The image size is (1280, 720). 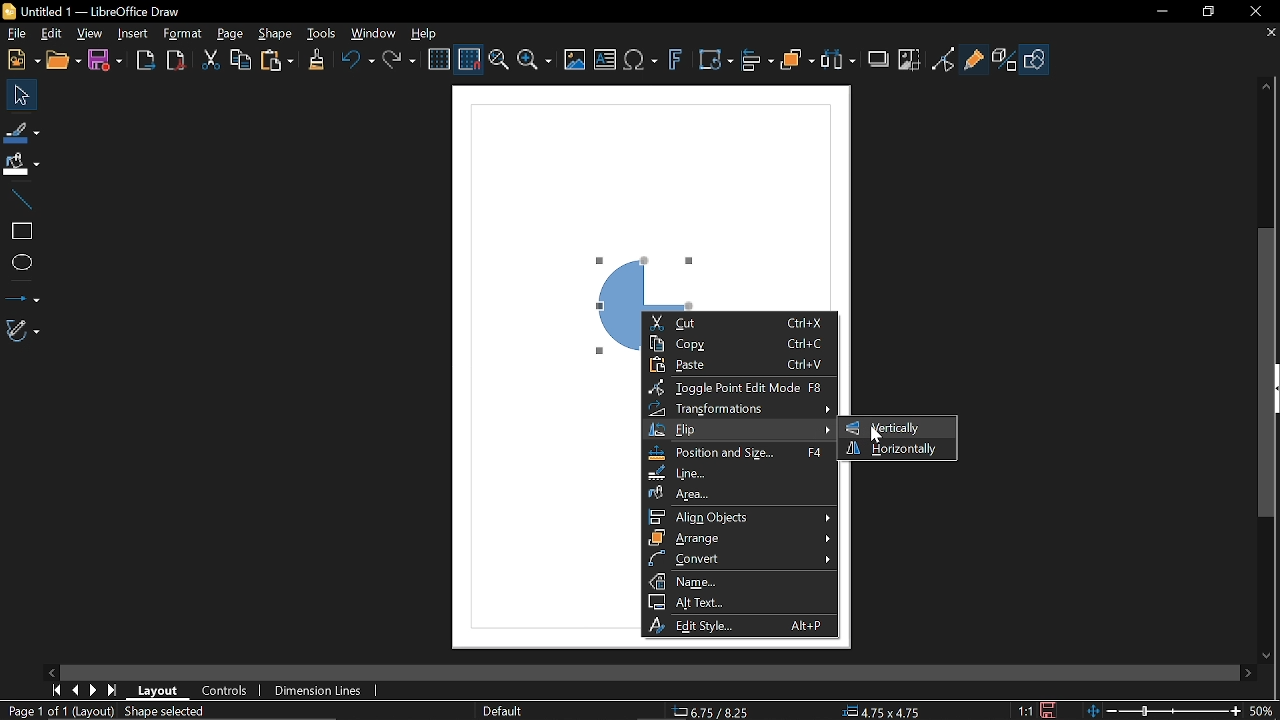 I want to click on Close, so click(x=1251, y=11).